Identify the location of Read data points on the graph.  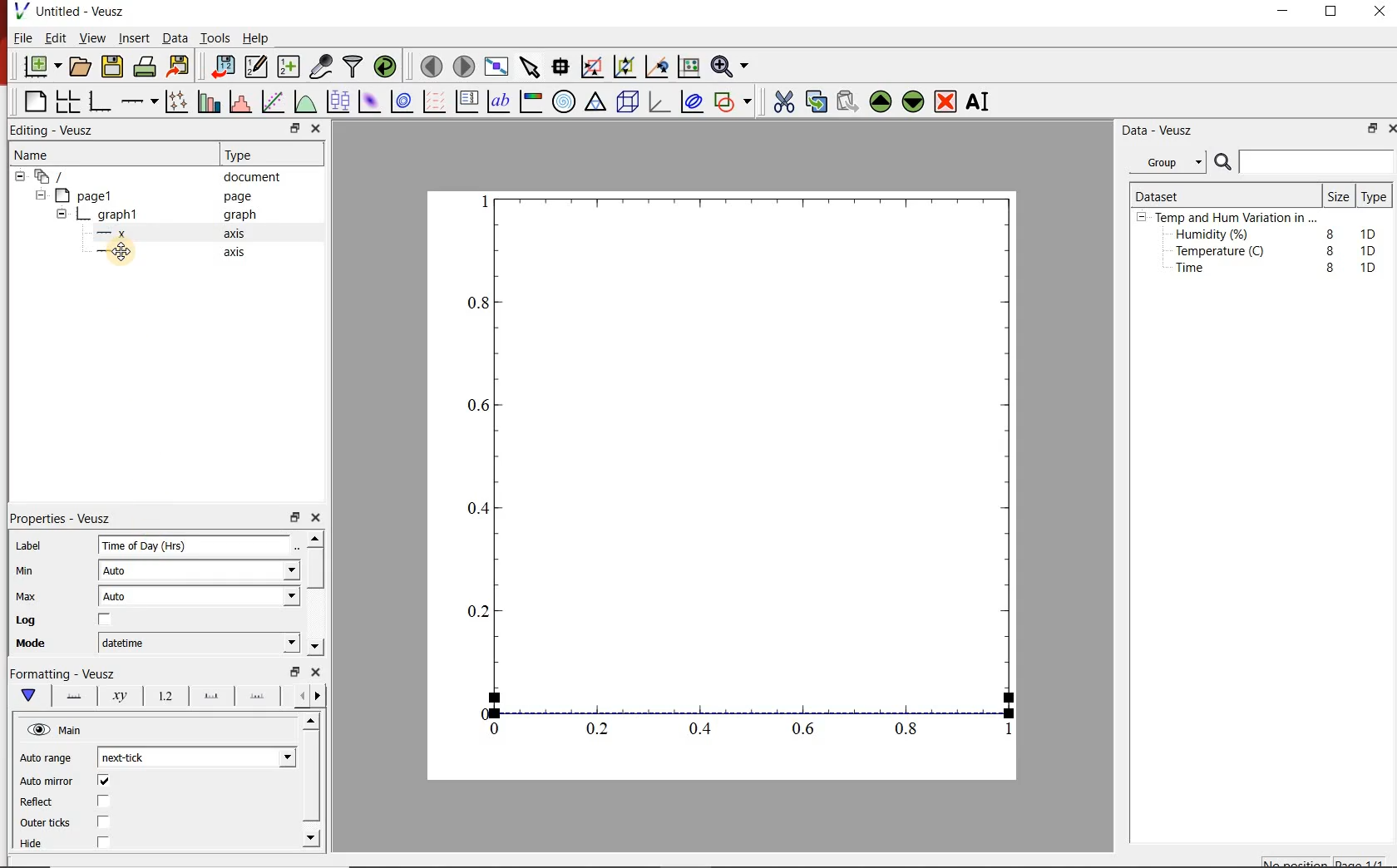
(562, 67).